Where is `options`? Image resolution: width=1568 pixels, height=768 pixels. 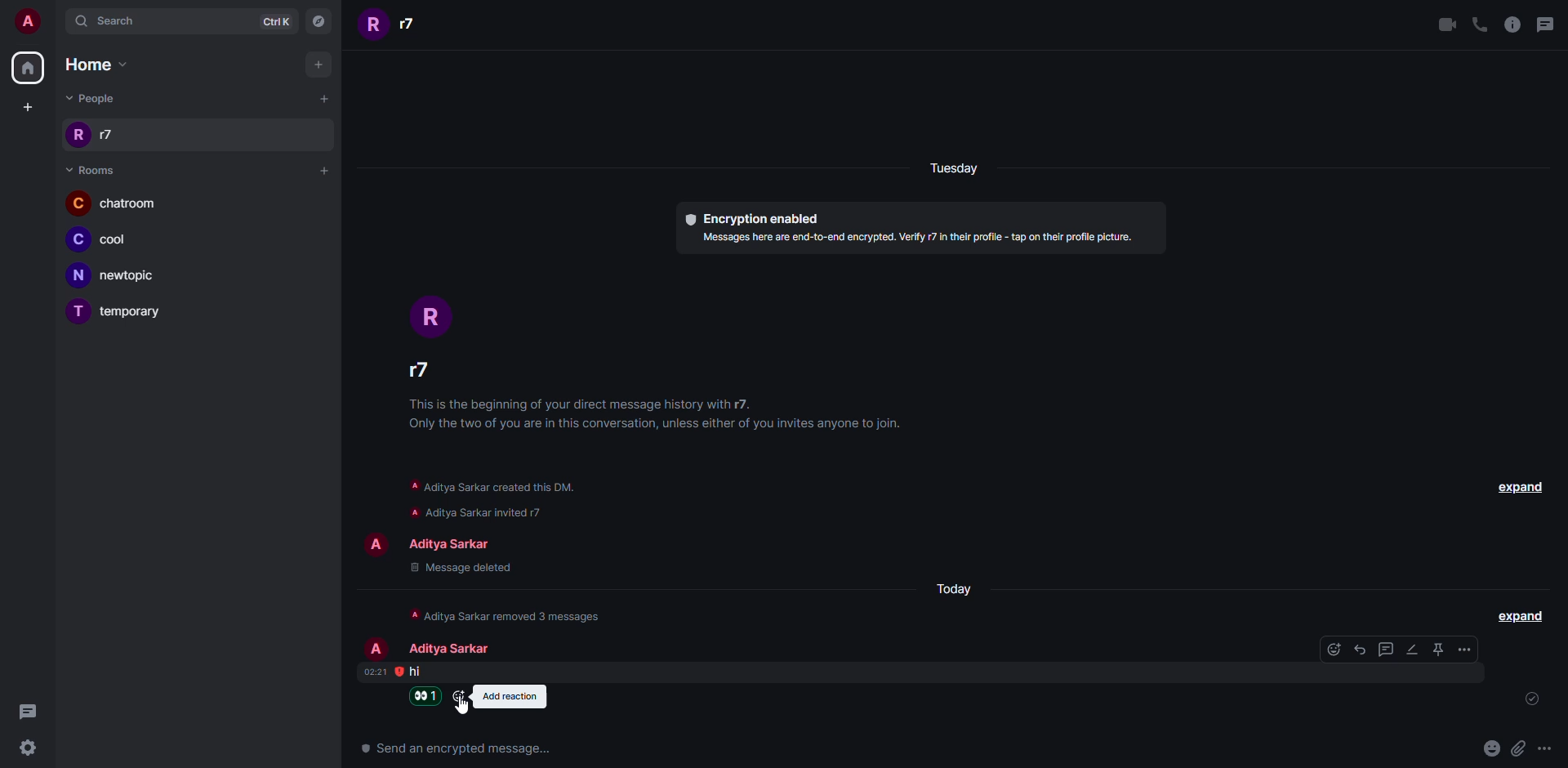
options is located at coordinates (1466, 649).